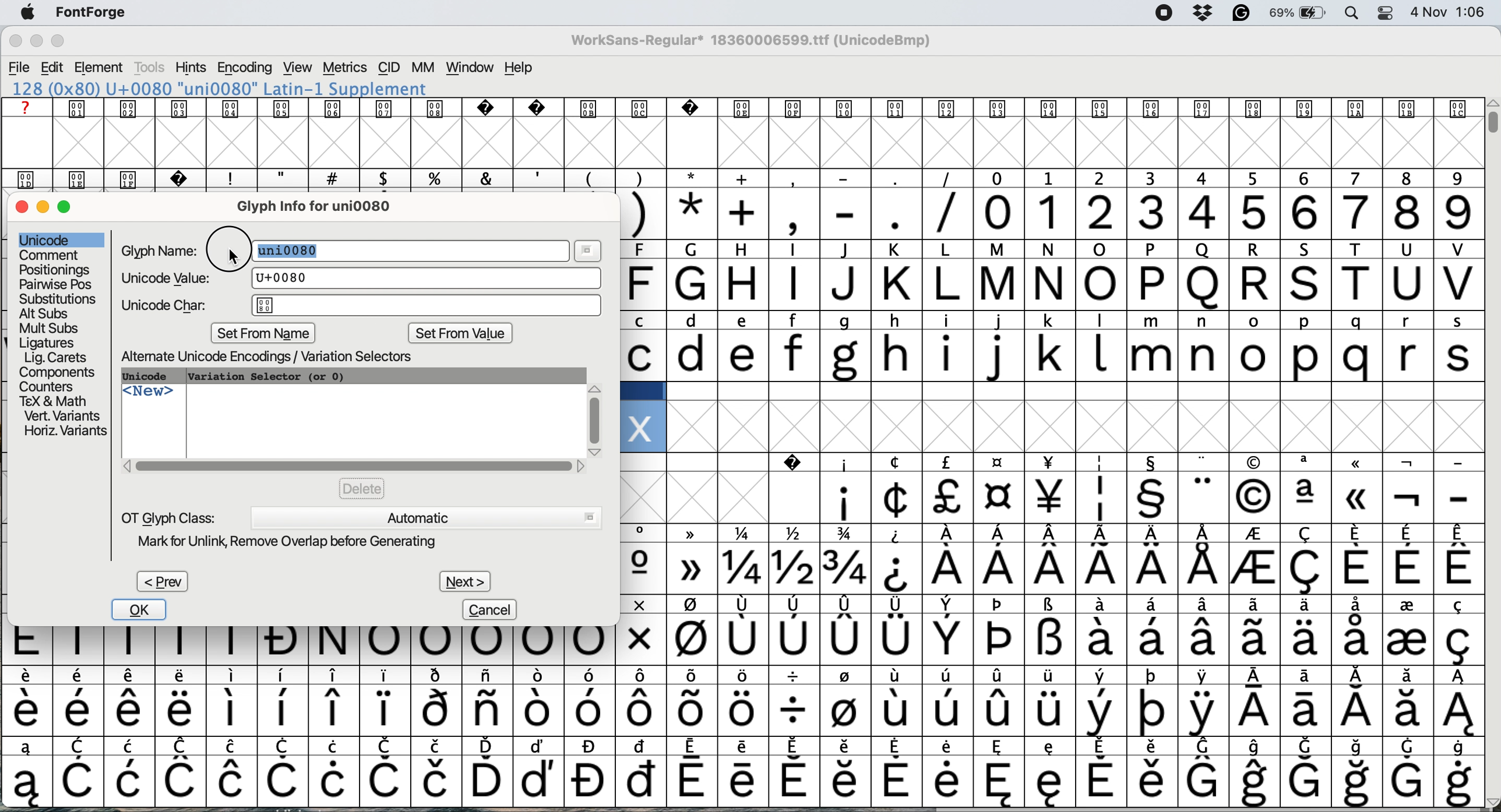 This screenshot has width=1501, height=812. I want to click on control center, so click(1383, 12).